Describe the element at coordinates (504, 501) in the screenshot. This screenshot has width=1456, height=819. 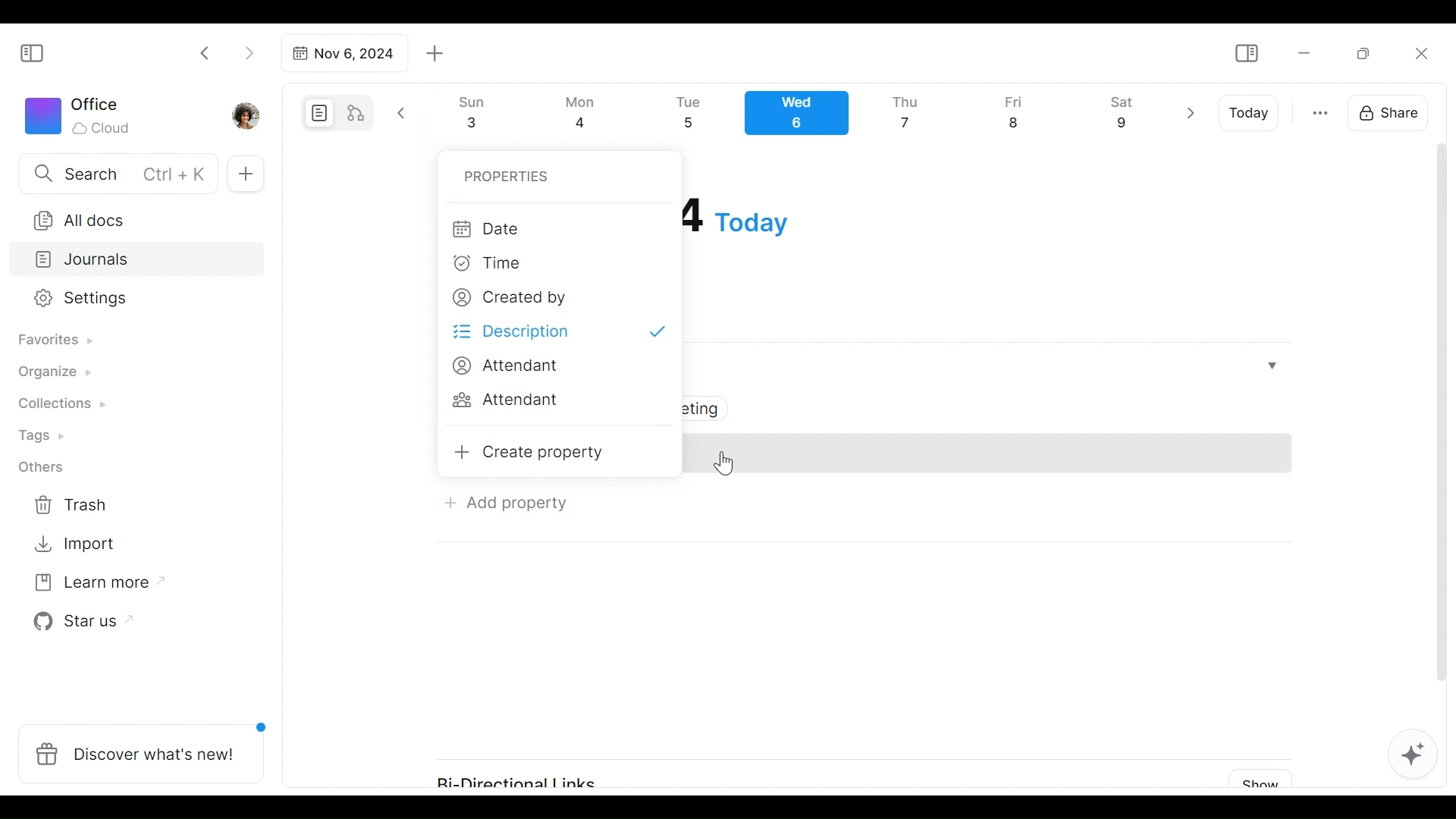
I see `Add Property` at that location.